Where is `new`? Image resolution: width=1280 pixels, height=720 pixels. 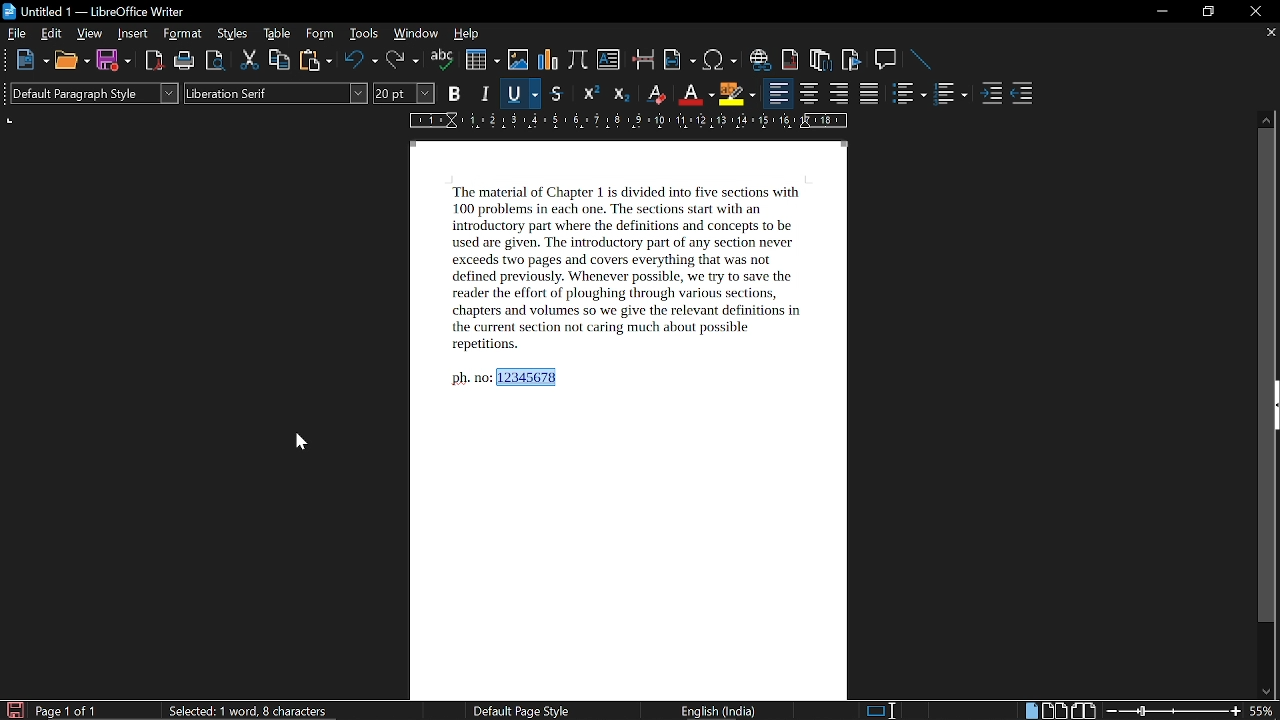 new is located at coordinates (33, 60).